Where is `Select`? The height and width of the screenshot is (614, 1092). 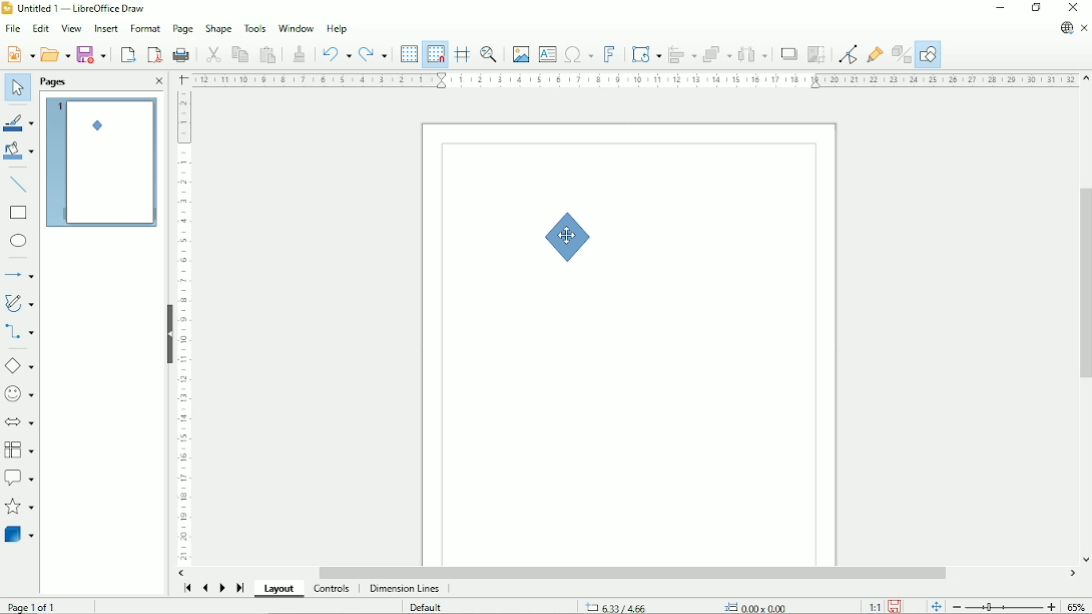 Select is located at coordinates (17, 88).